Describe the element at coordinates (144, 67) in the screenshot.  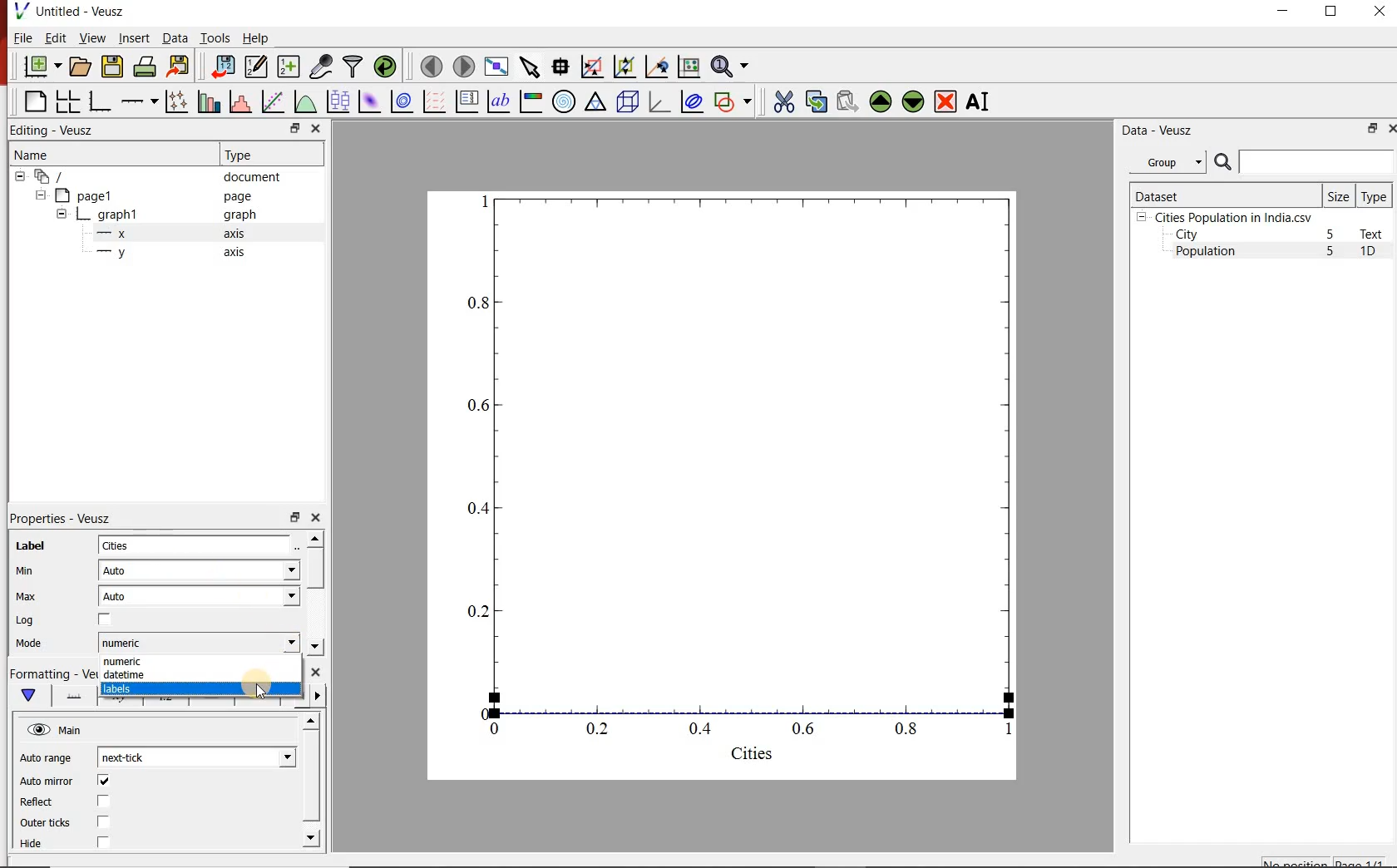
I see `print the document` at that location.